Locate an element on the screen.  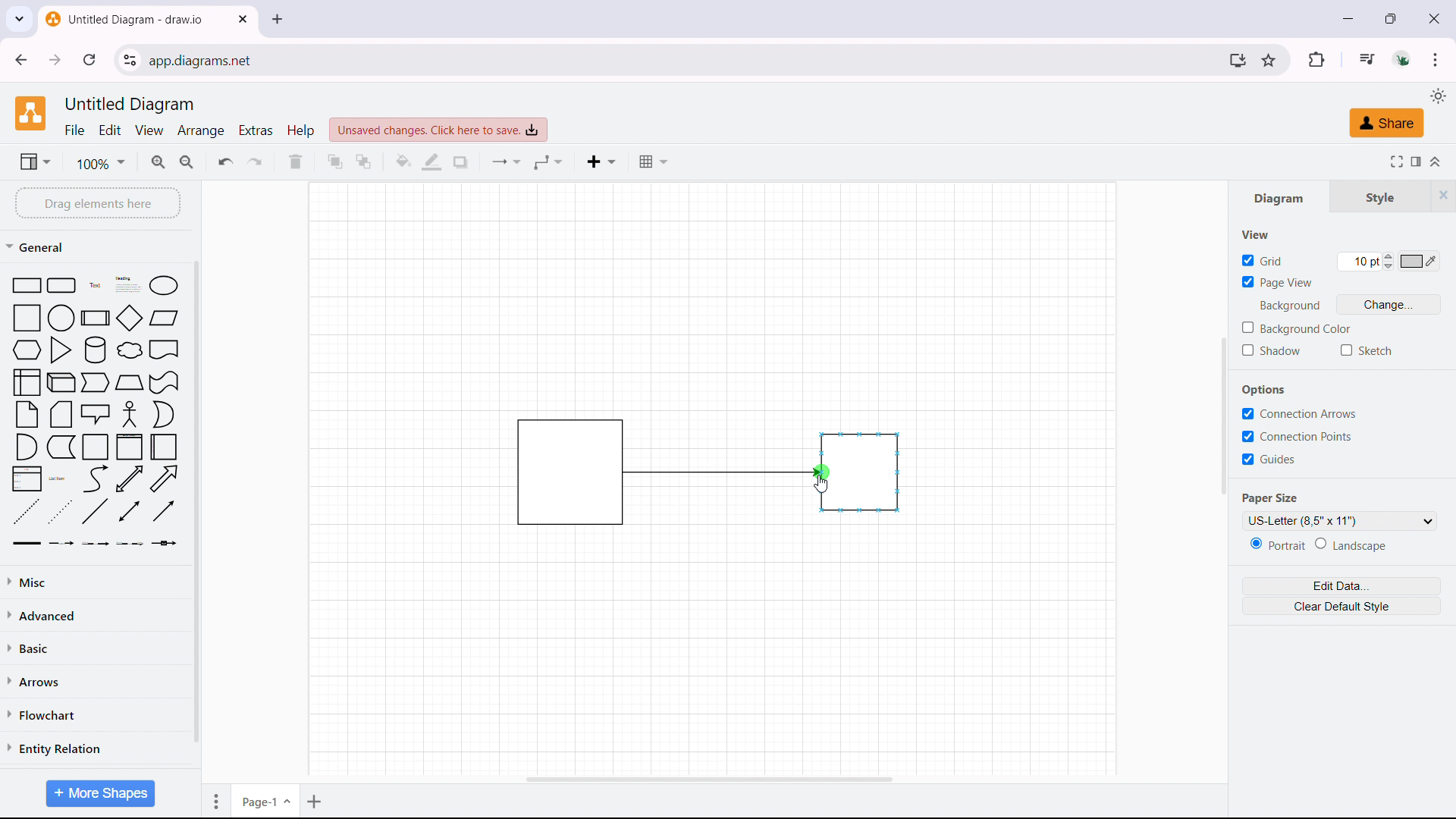
grid toggle is located at coordinates (1262, 259).